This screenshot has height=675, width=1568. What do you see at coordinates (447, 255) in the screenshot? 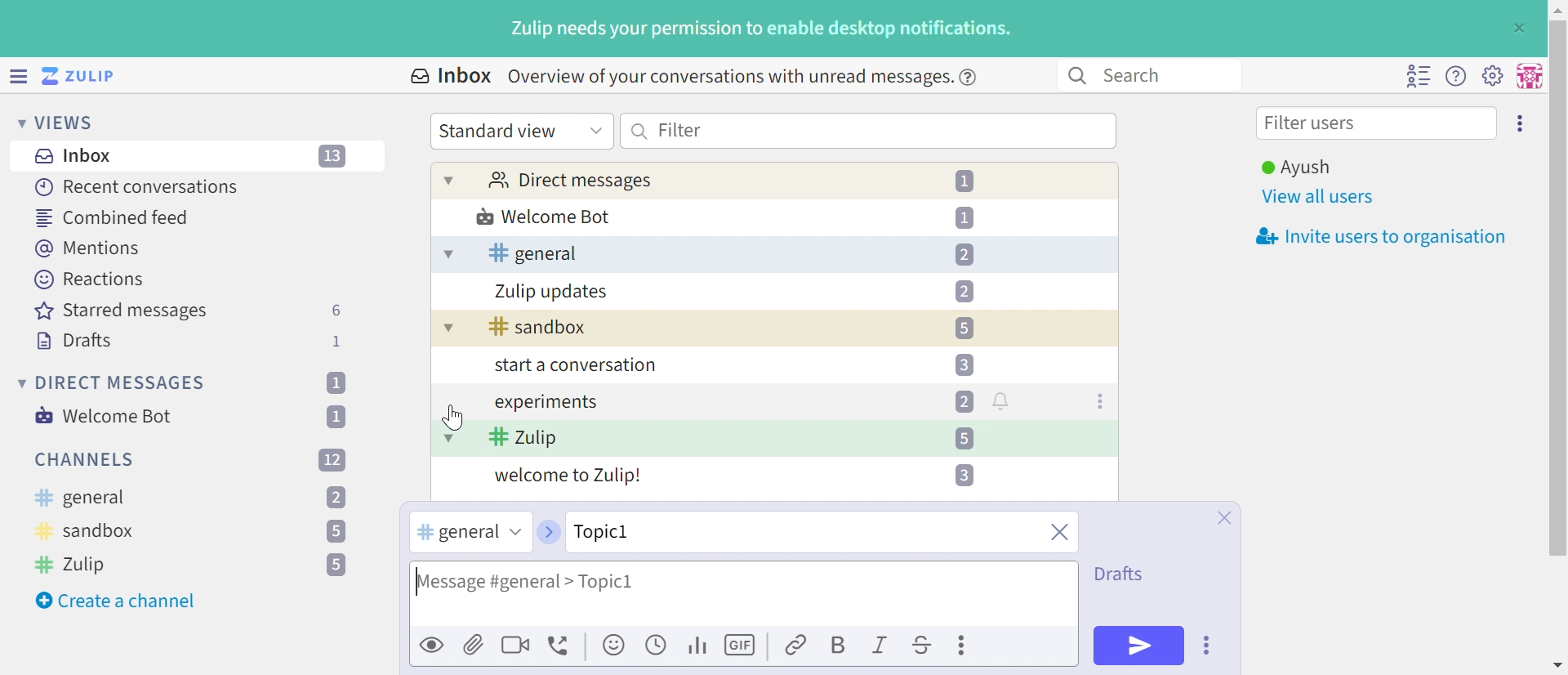
I see `Drop Down` at bounding box center [447, 255].